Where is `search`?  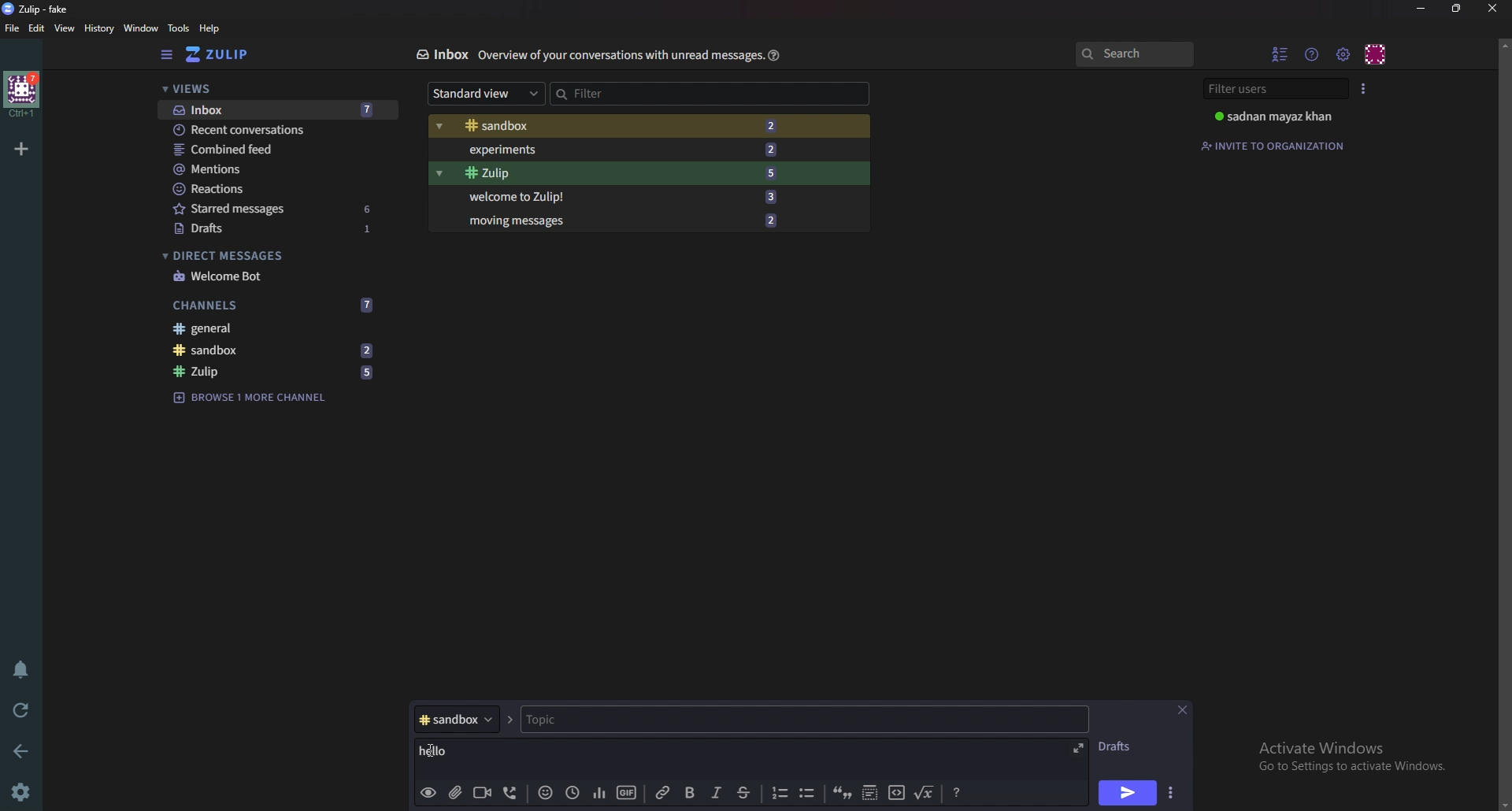 search is located at coordinates (1135, 55).